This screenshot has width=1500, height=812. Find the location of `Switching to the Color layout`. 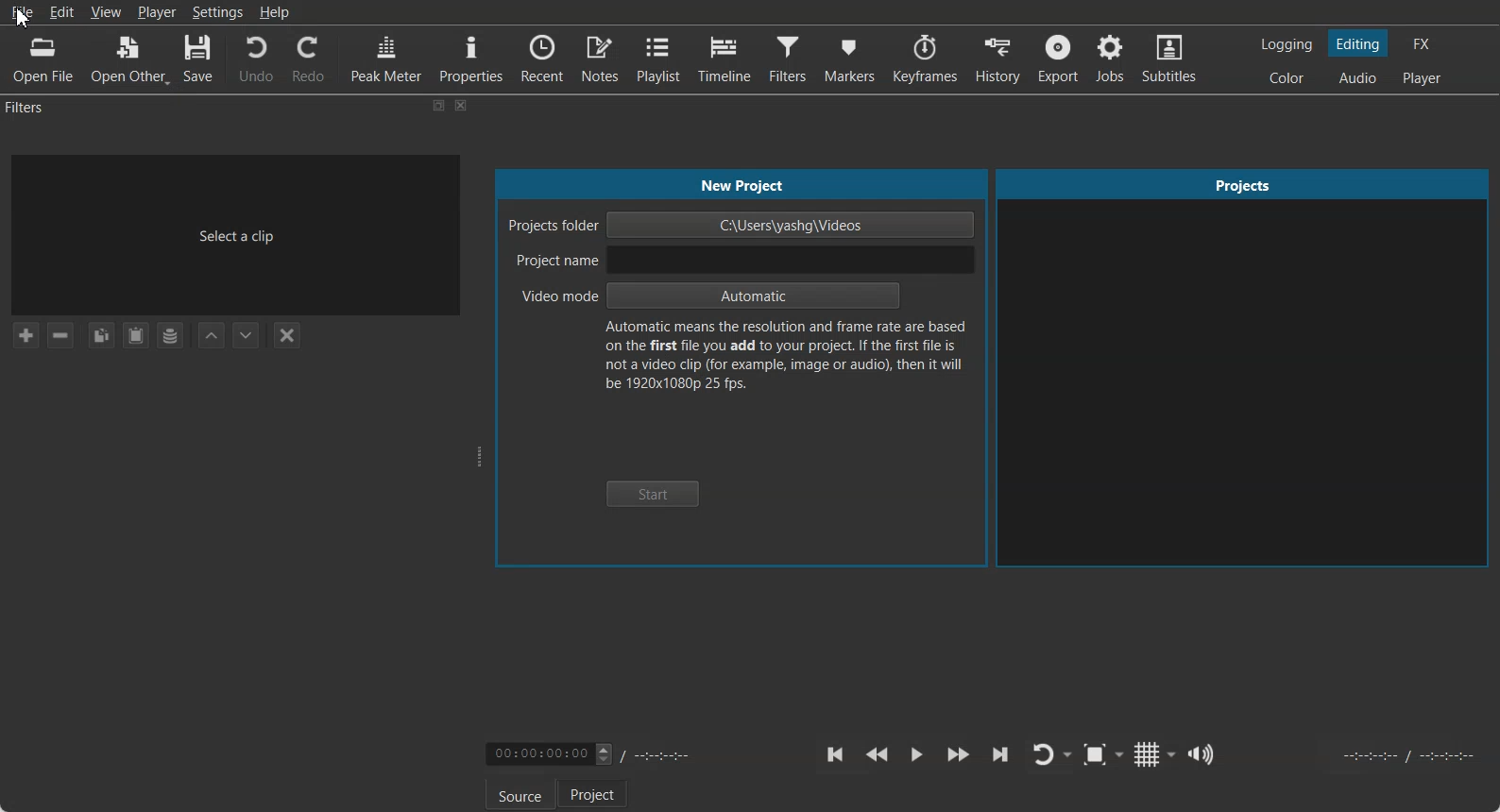

Switching to the Color layout is located at coordinates (1287, 78).